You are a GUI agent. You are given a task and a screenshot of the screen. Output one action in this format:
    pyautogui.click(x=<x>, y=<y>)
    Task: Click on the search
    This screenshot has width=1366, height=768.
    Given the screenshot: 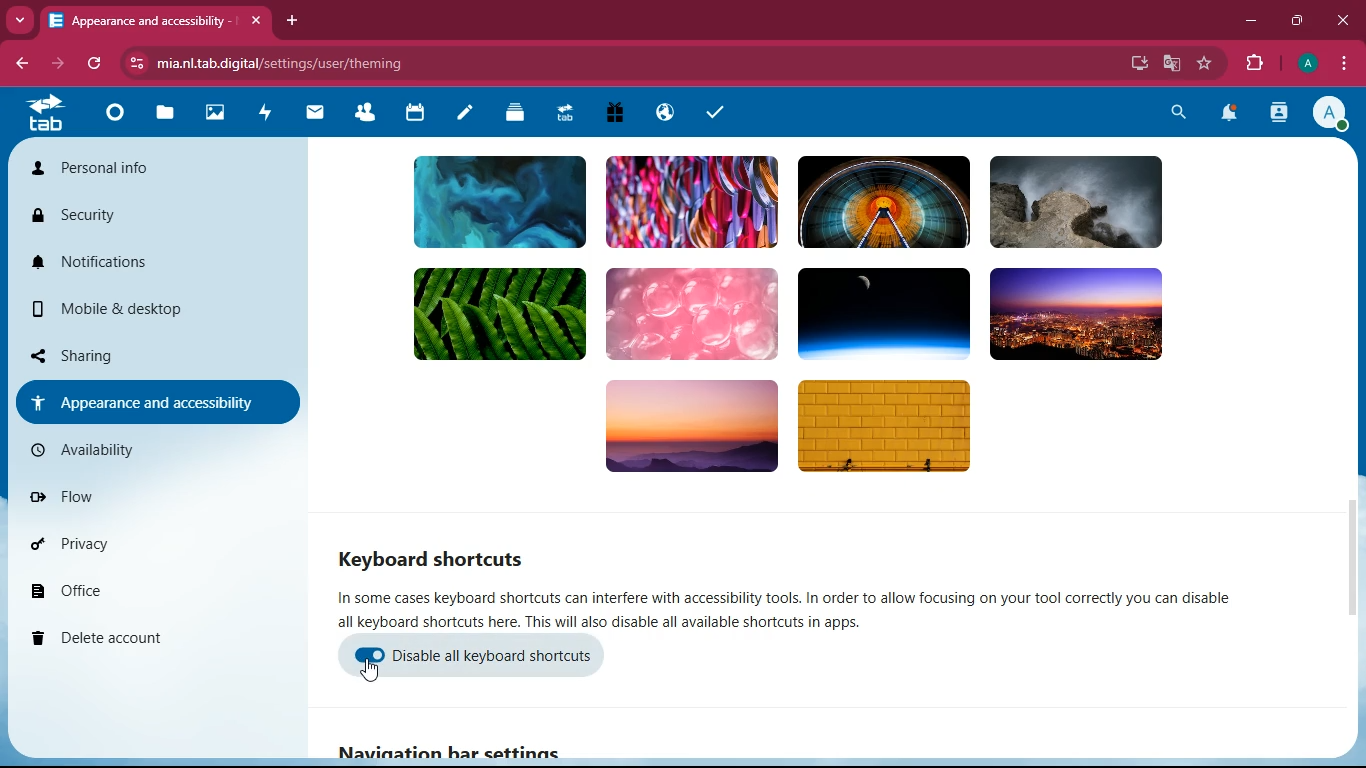 What is the action you would take?
    pyautogui.click(x=1180, y=114)
    